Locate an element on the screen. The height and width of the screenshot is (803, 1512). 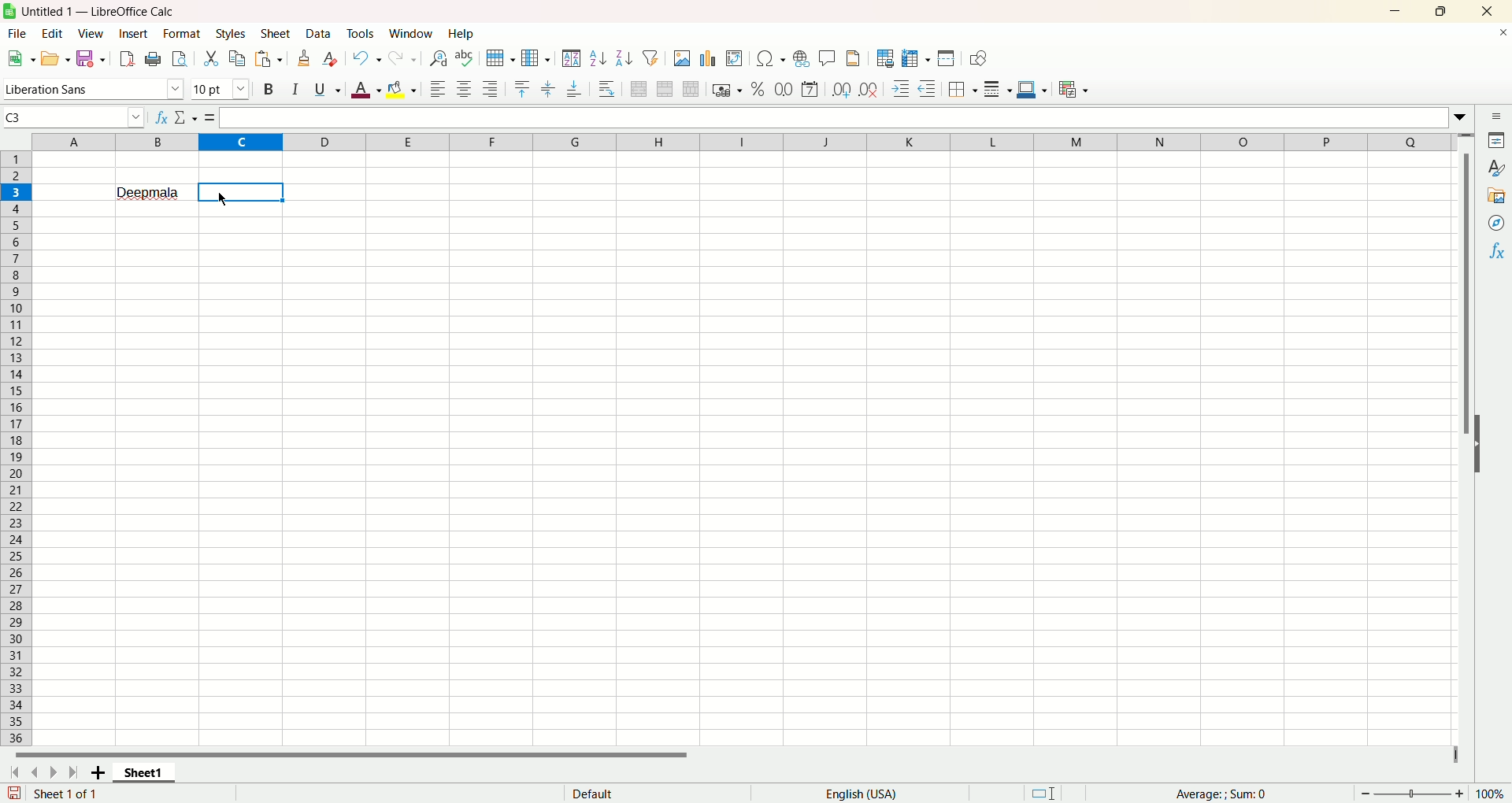
Maximize is located at coordinates (1445, 9).